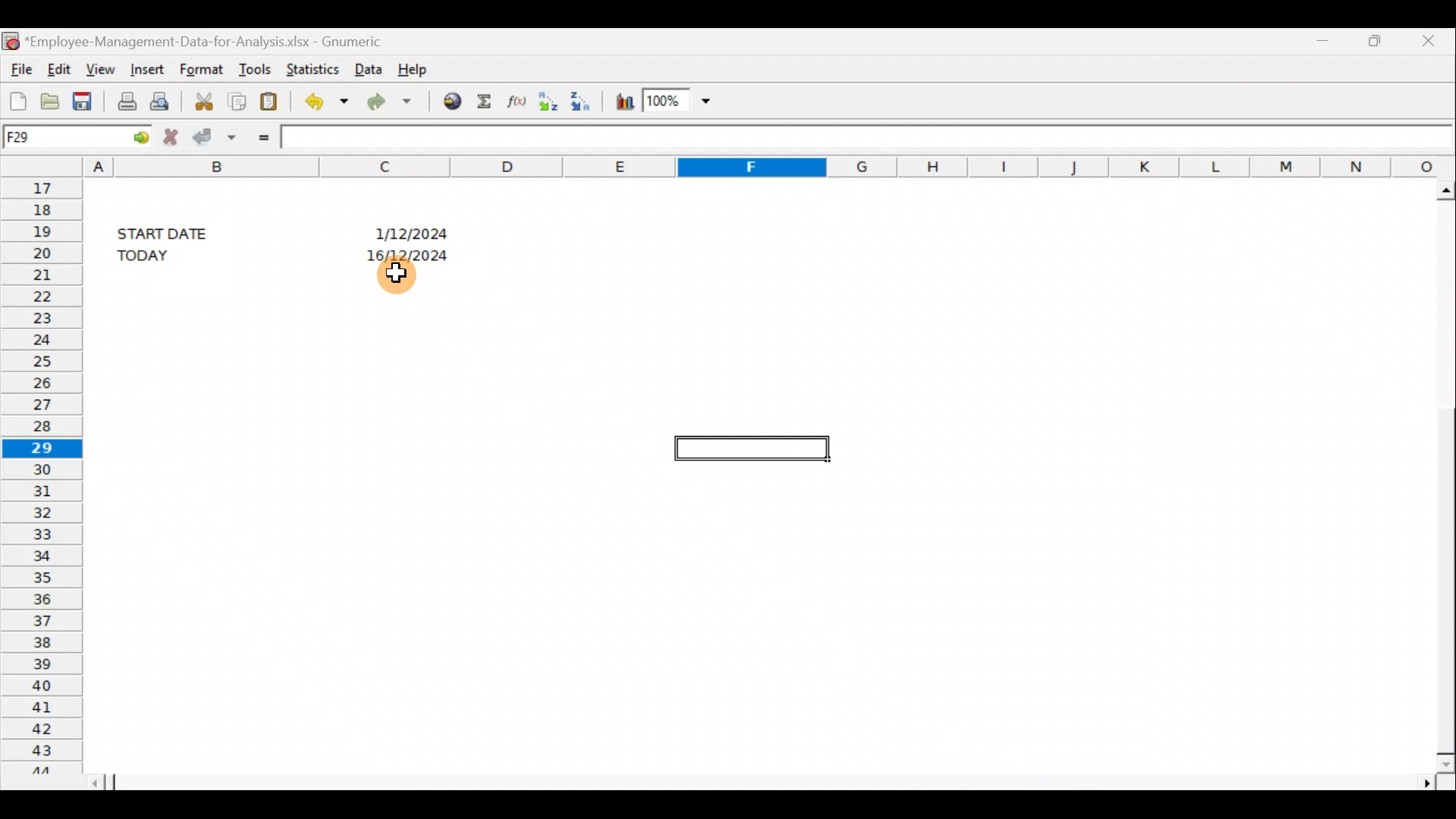  What do you see at coordinates (253, 65) in the screenshot?
I see `Tools` at bounding box center [253, 65].